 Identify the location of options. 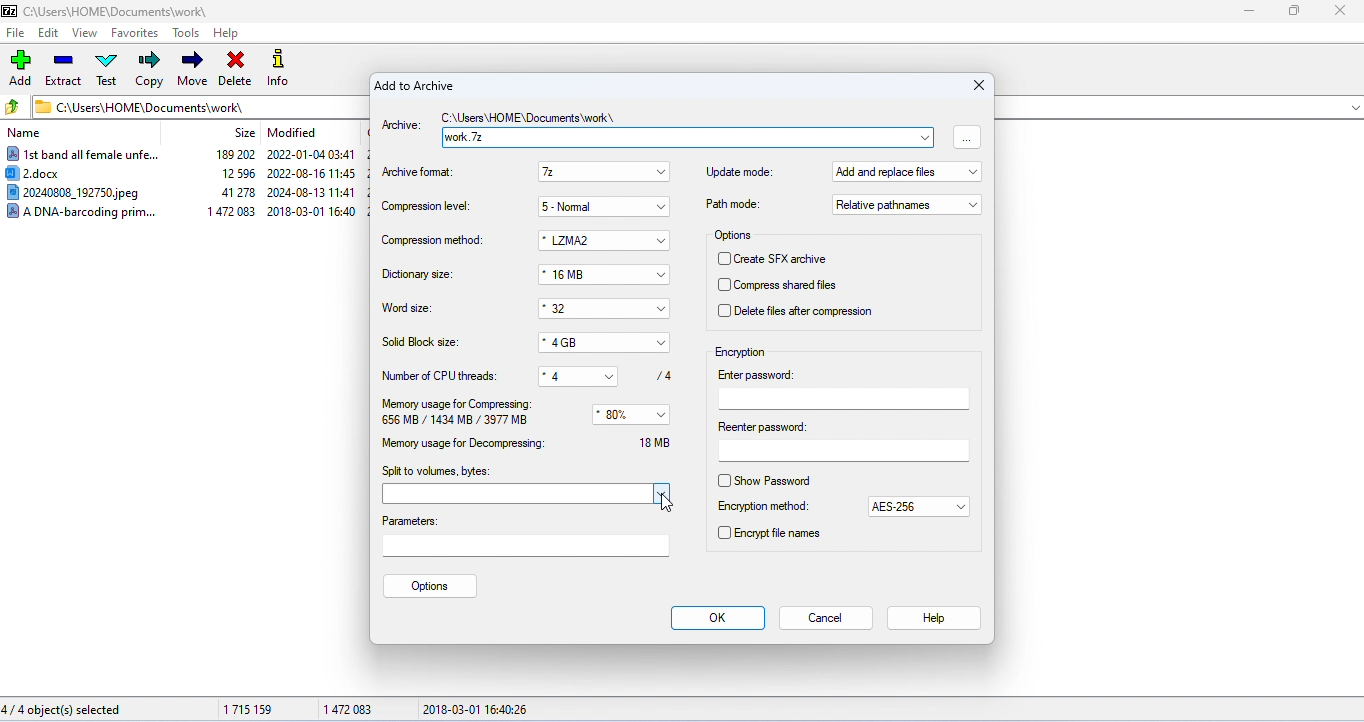
(431, 586).